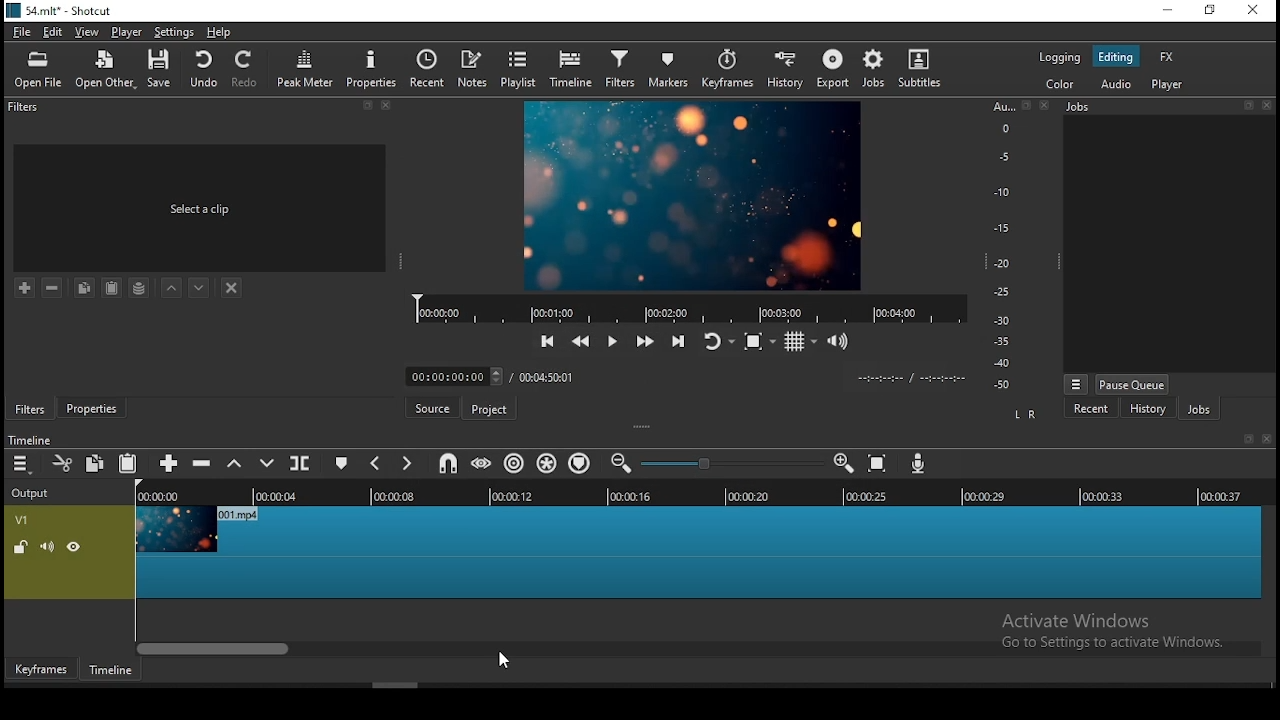  Describe the element at coordinates (1000, 227) in the screenshot. I see `-15` at that location.